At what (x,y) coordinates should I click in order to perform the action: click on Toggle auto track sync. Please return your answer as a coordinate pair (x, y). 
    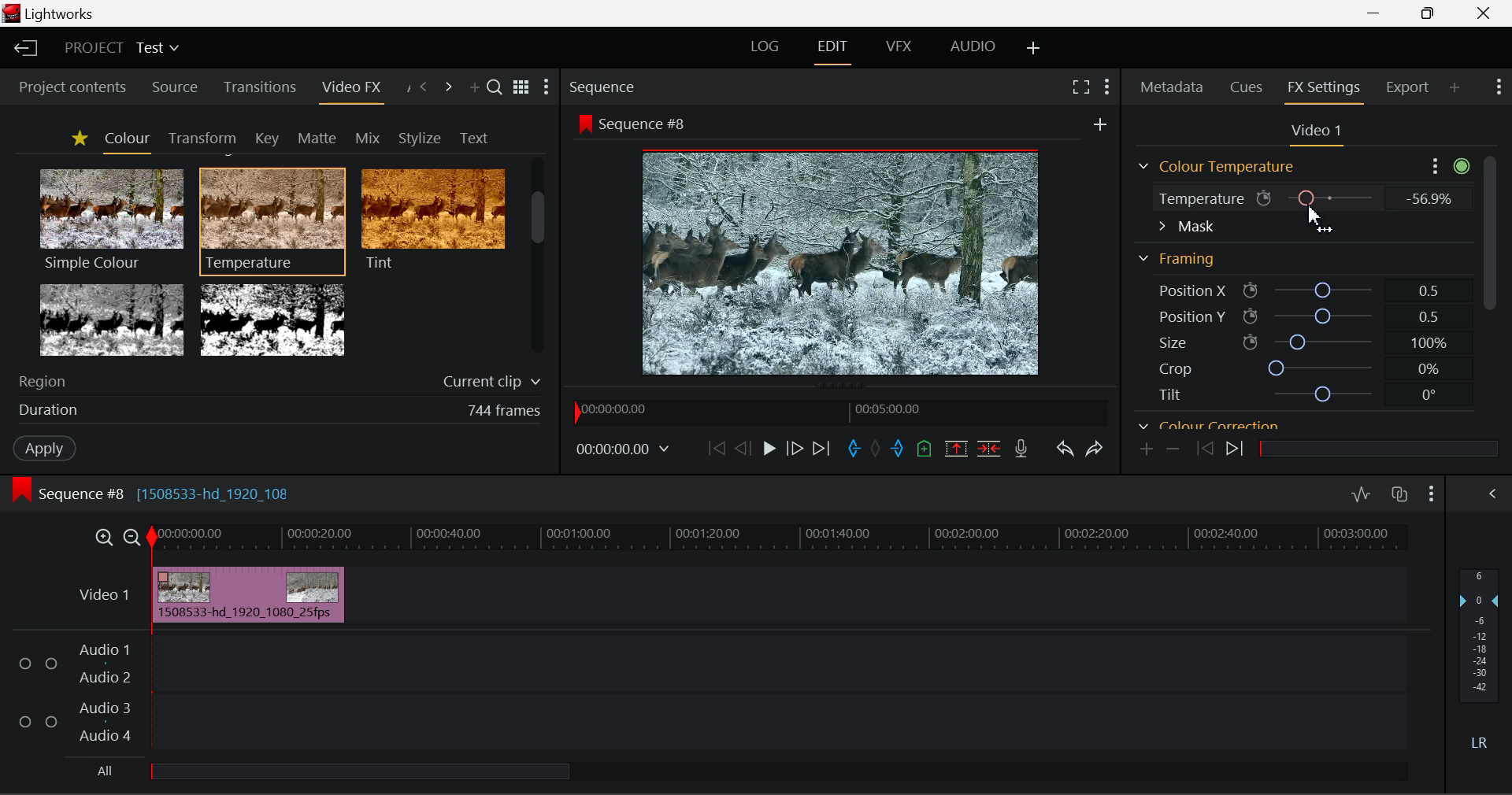
    Looking at the image, I should click on (1399, 494).